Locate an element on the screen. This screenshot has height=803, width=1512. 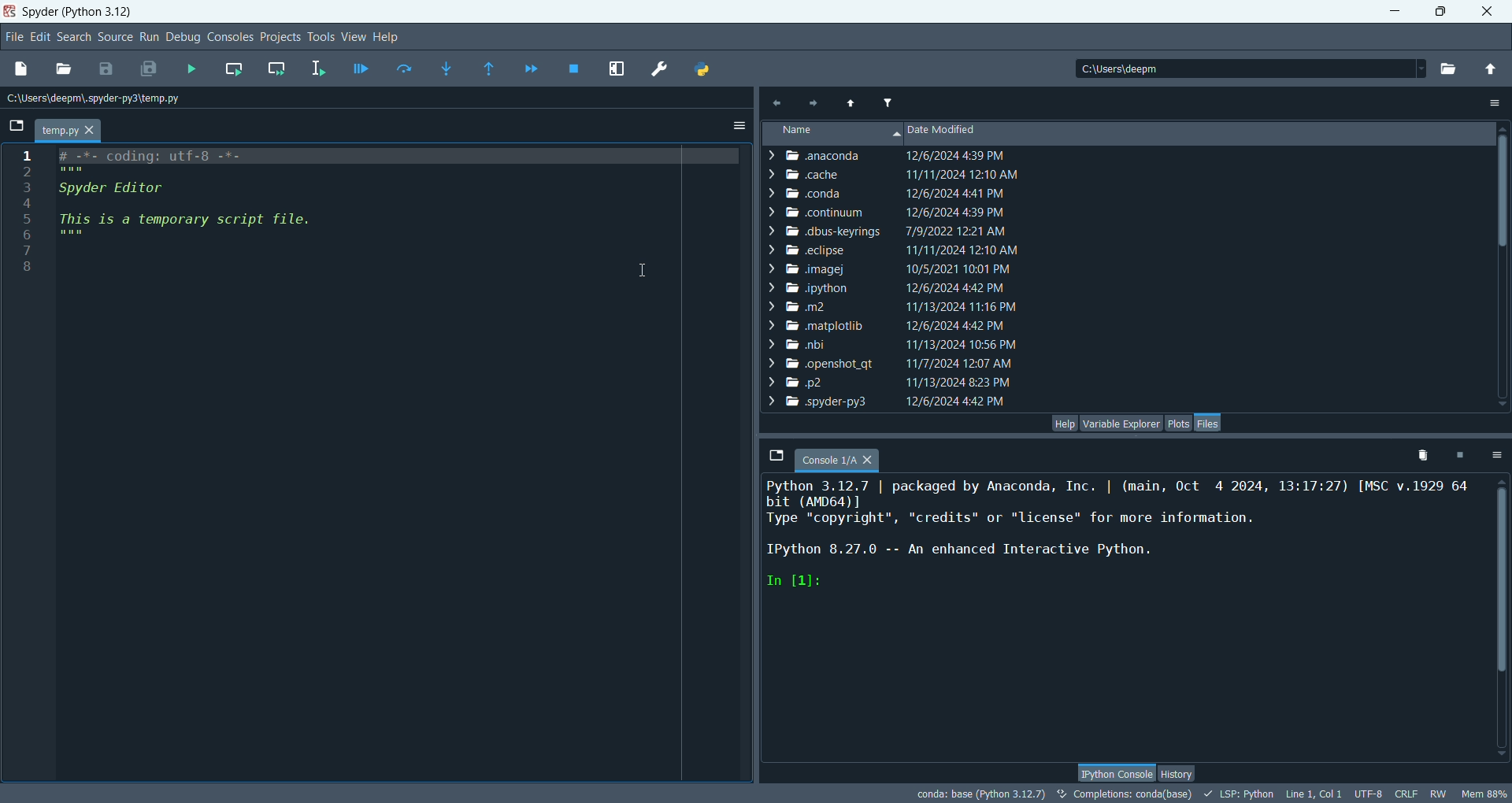
options is located at coordinates (740, 125).